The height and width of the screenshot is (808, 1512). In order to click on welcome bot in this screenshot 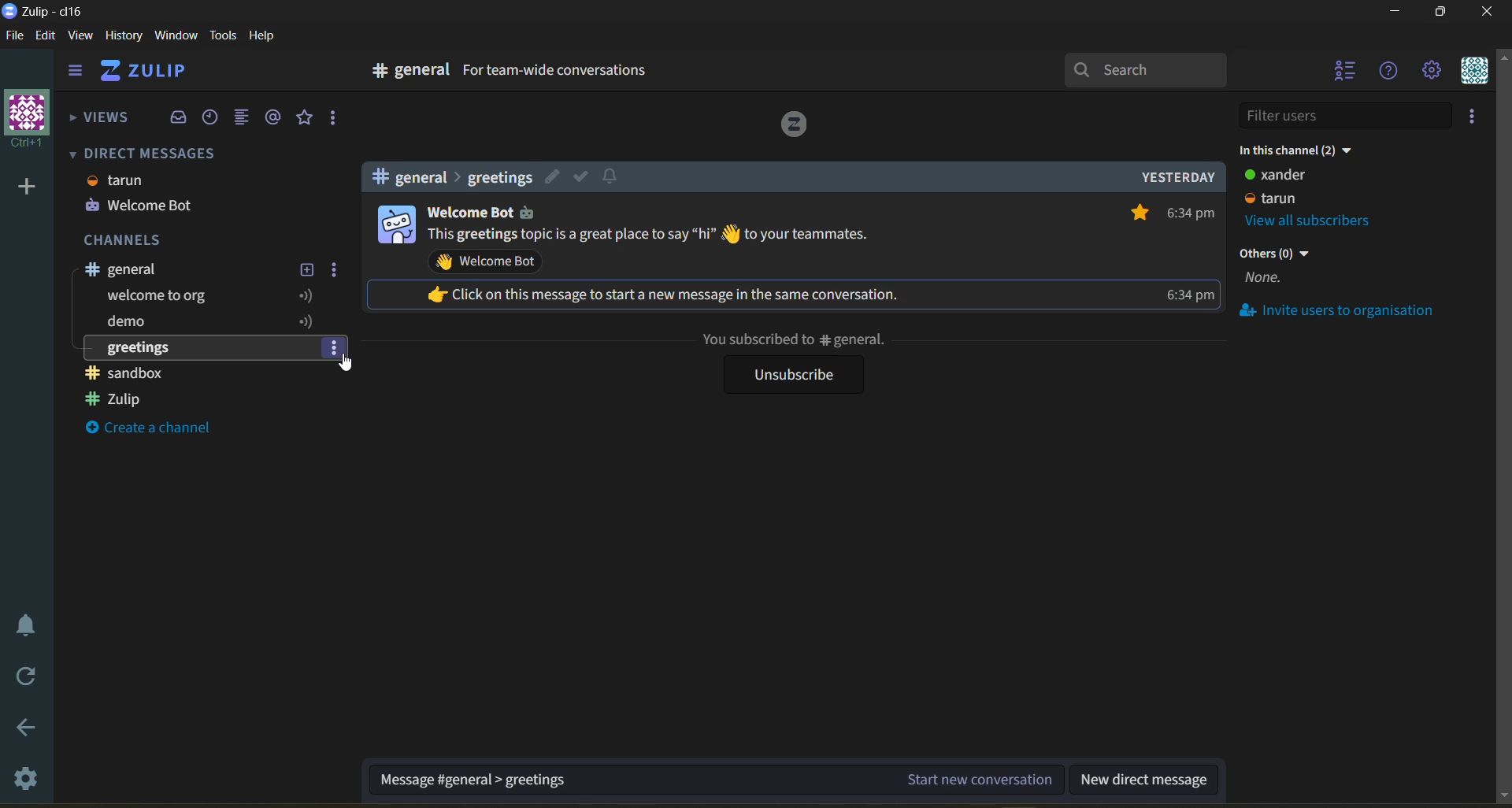, I will do `click(468, 215)`.